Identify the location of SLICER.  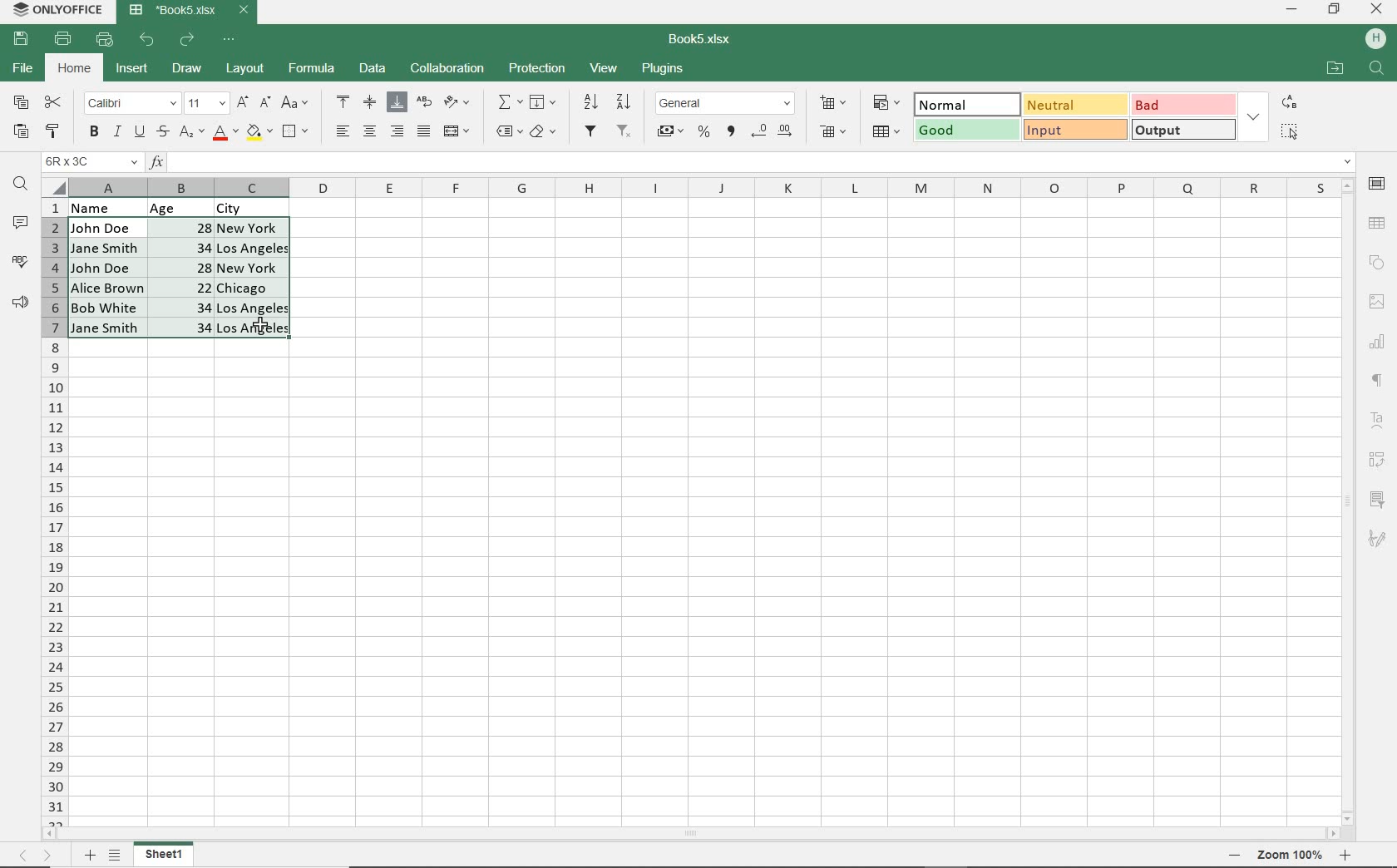
(1379, 501).